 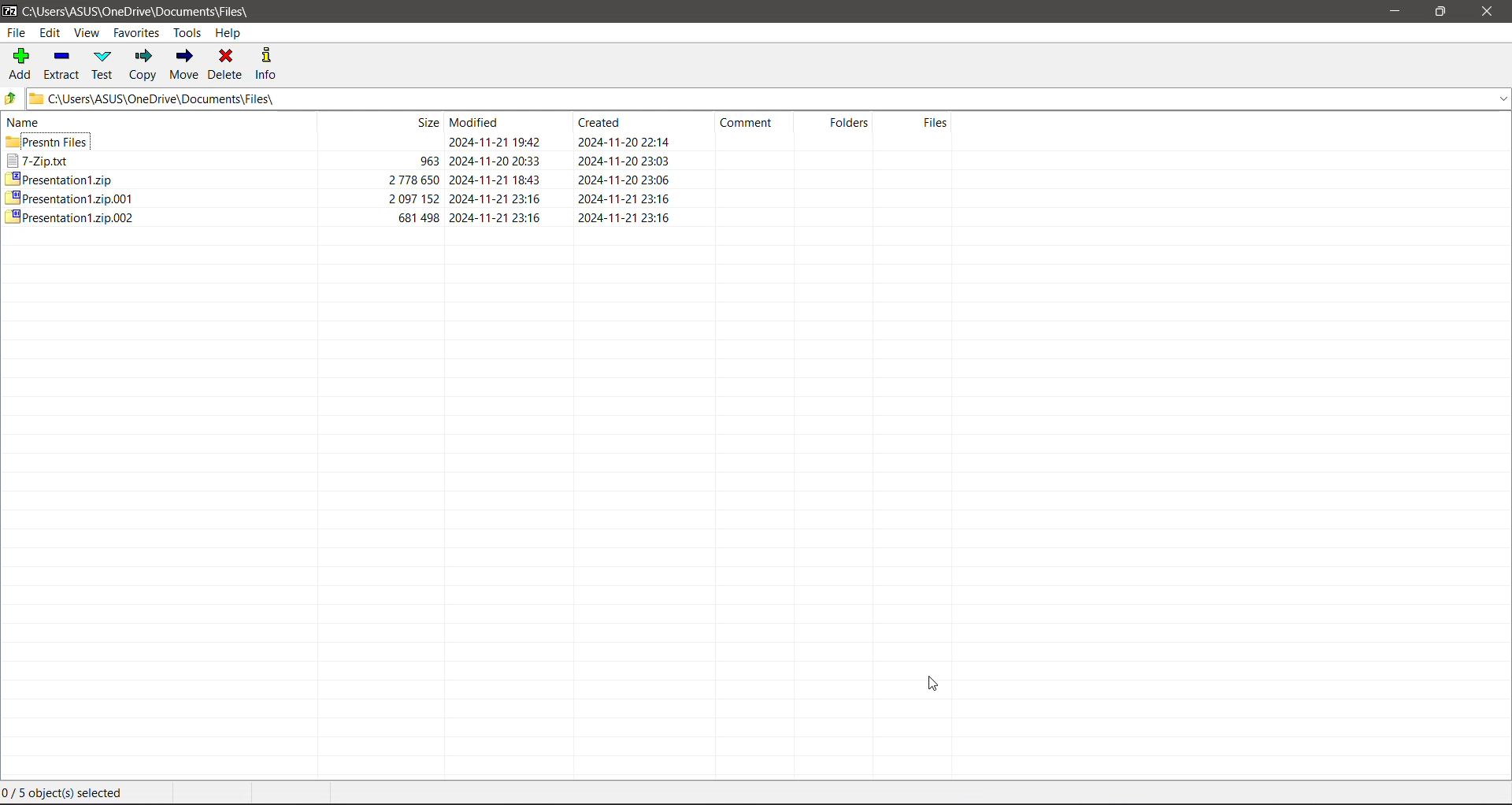 What do you see at coordinates (67, 197) in the screenshot?
I see `presentation1zip.001` at bounding box center [67, 197].